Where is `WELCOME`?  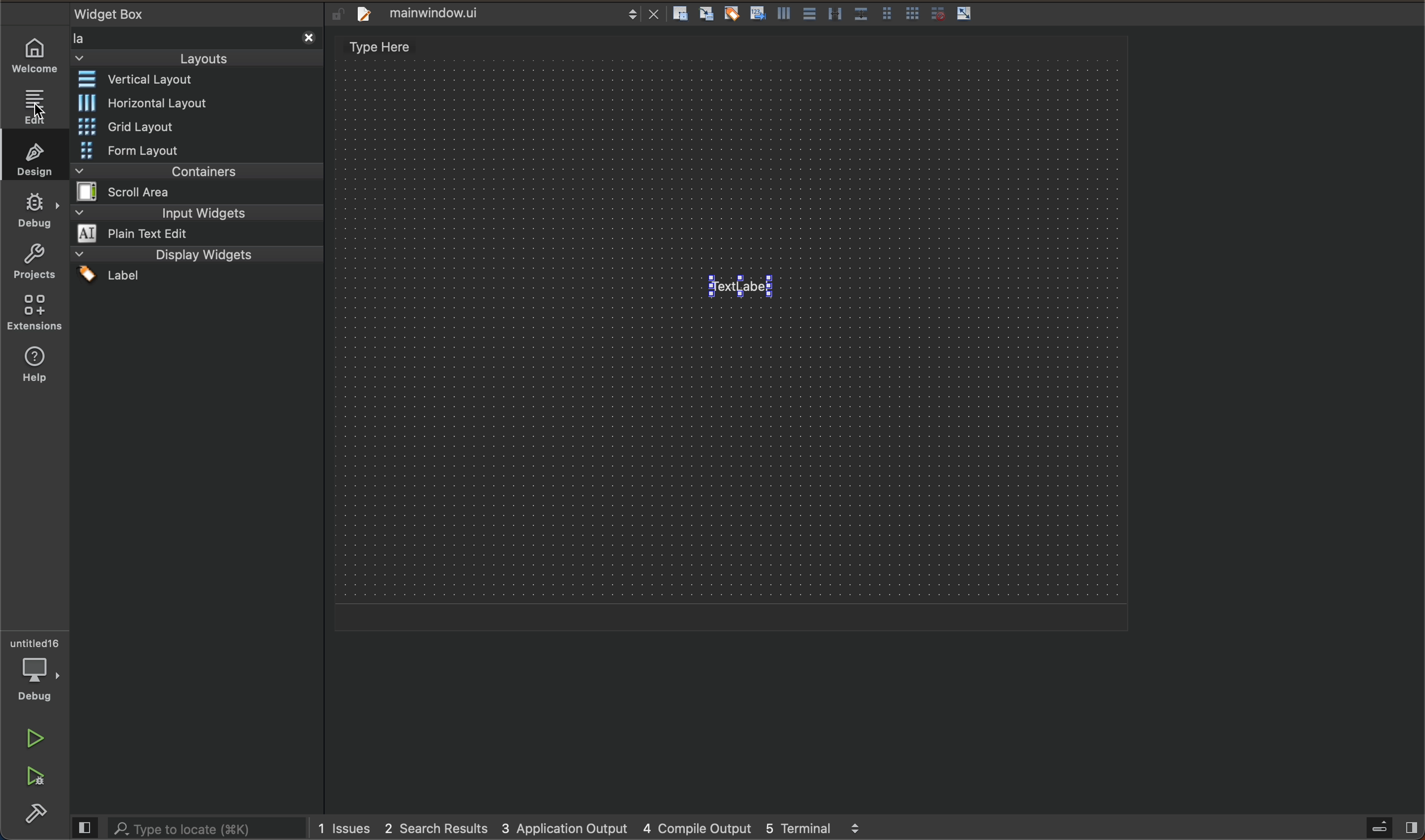
WELCOME is located at coordinates (34, 54).